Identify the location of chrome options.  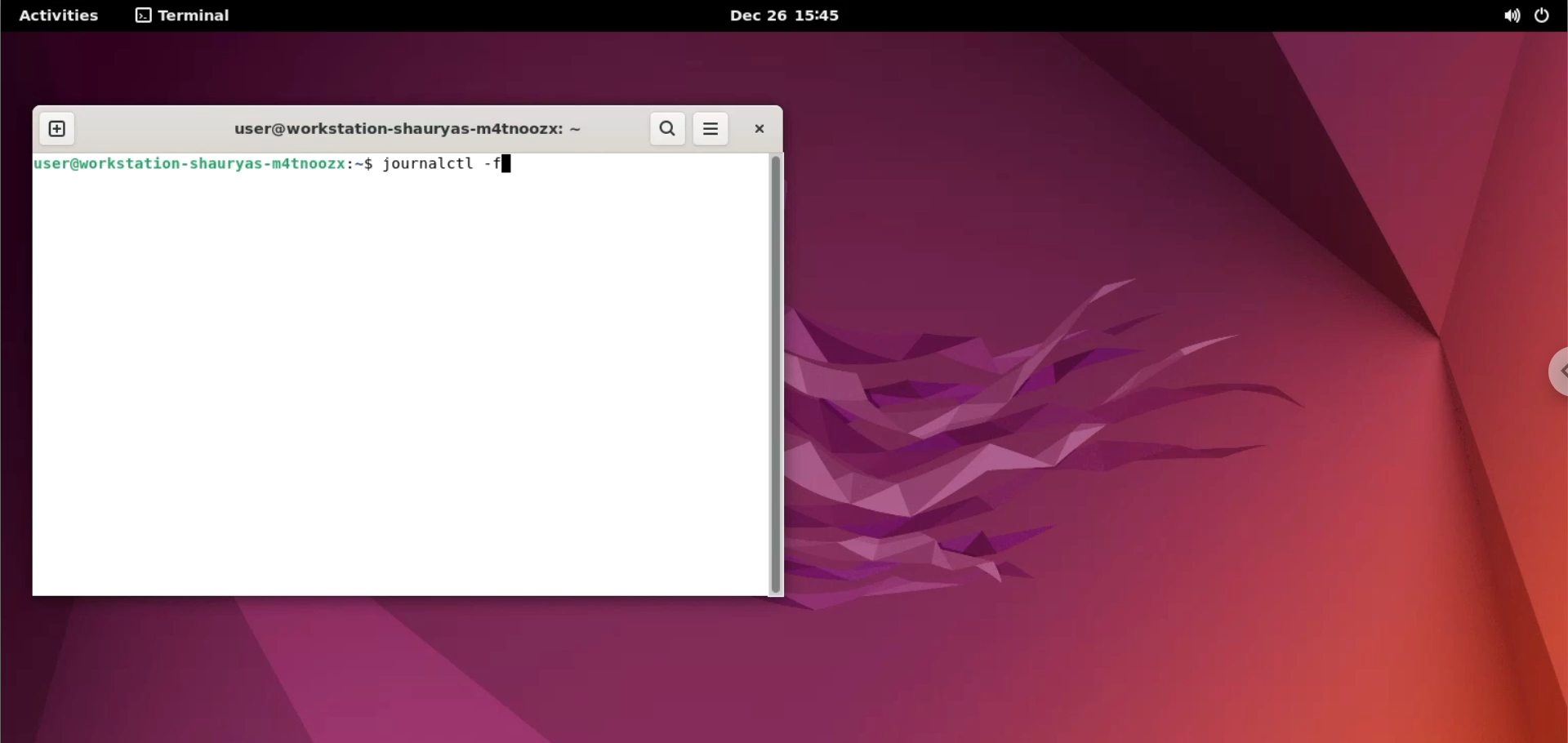
(1554, 371).